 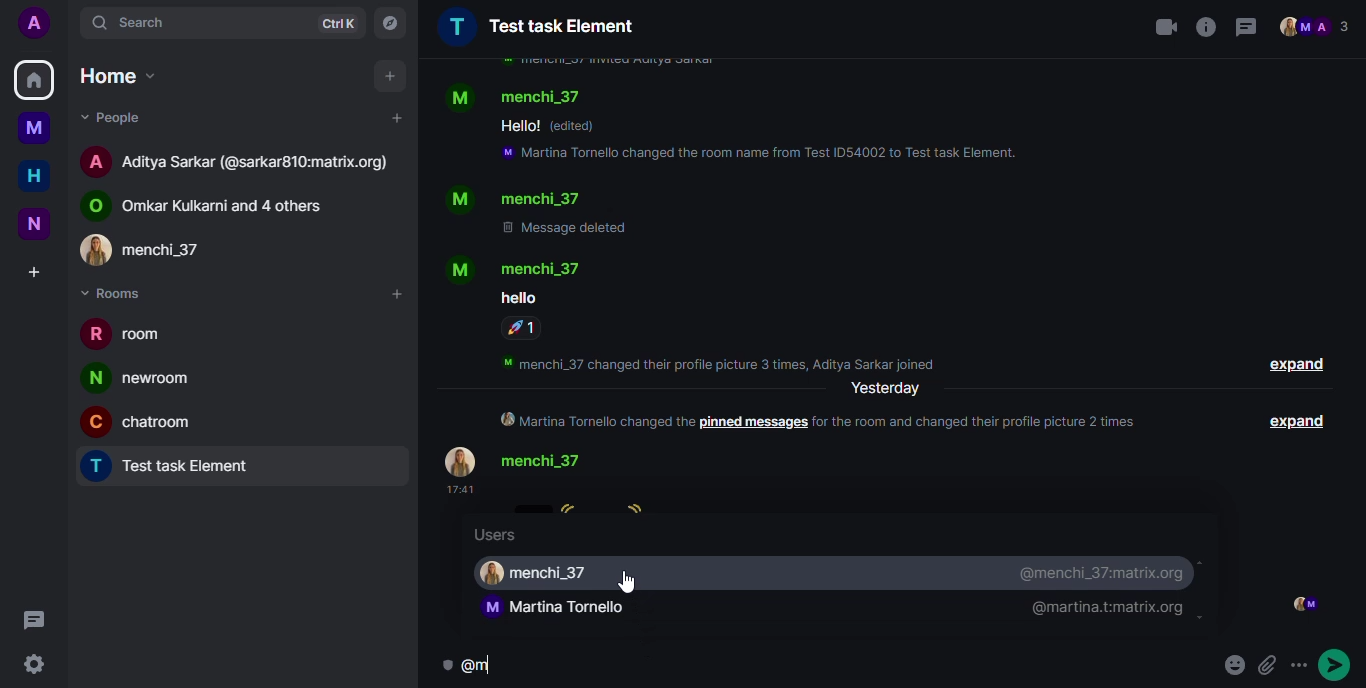 I want to click on Test task element, so click(x=537, y=26).